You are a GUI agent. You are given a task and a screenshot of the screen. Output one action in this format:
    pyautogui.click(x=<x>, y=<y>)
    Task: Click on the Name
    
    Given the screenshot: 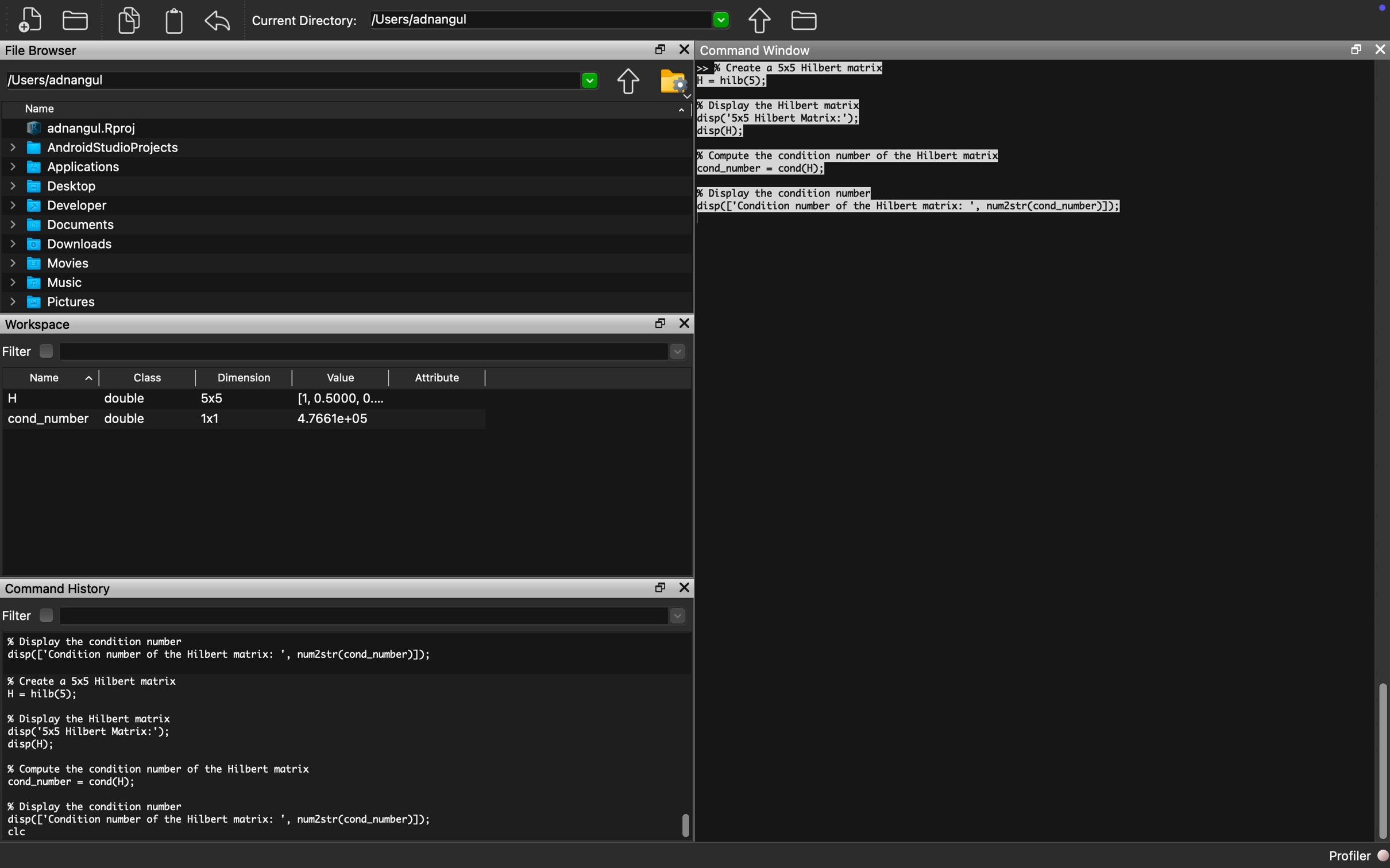 What is the action you would take?
    pyautogui.click(x=38, y=108)
    